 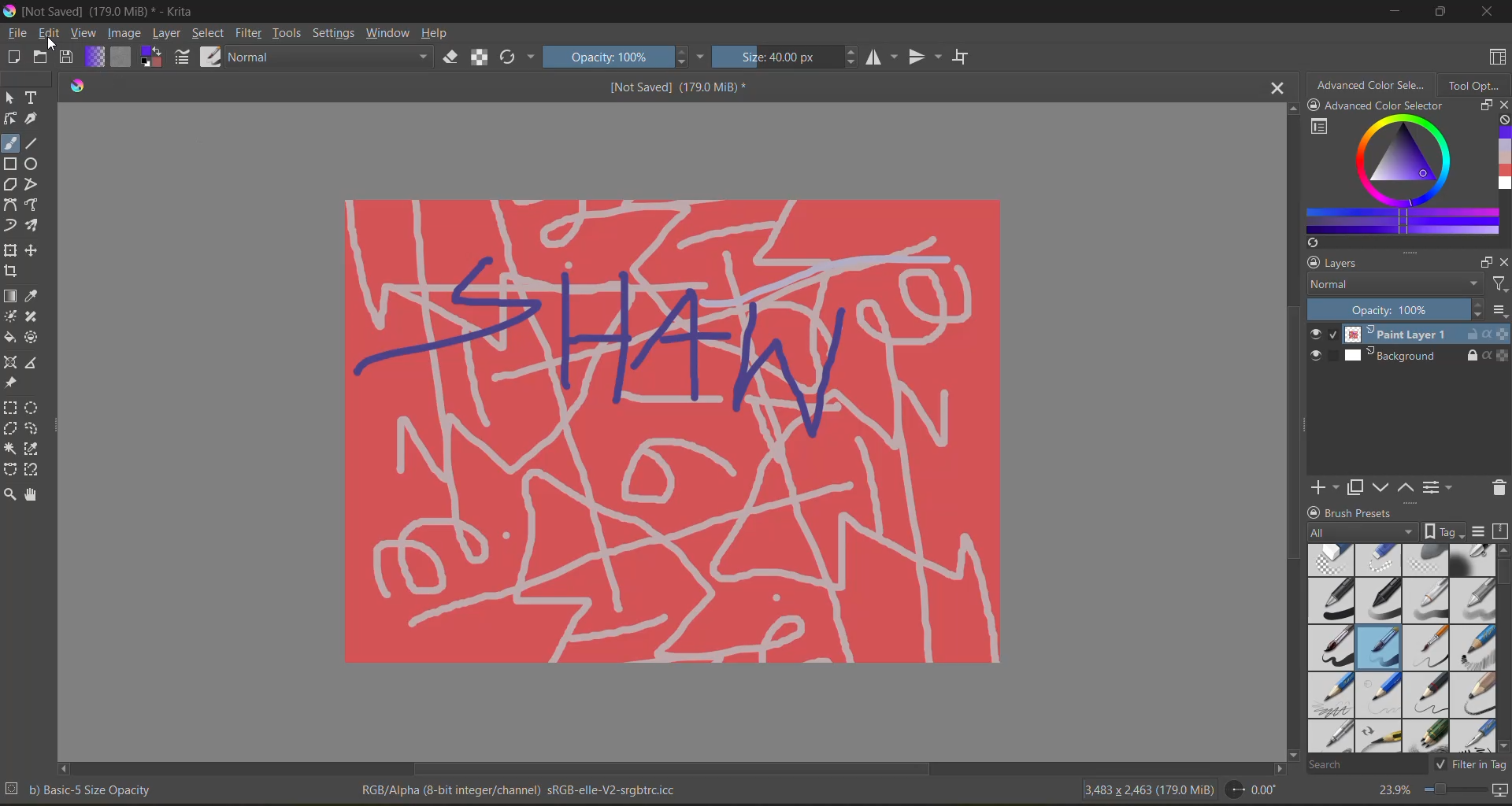 What do you see at coordinates (11, 225) in the screenshot?
I see `dynamic brush tool` at bounding box center [11, 225].